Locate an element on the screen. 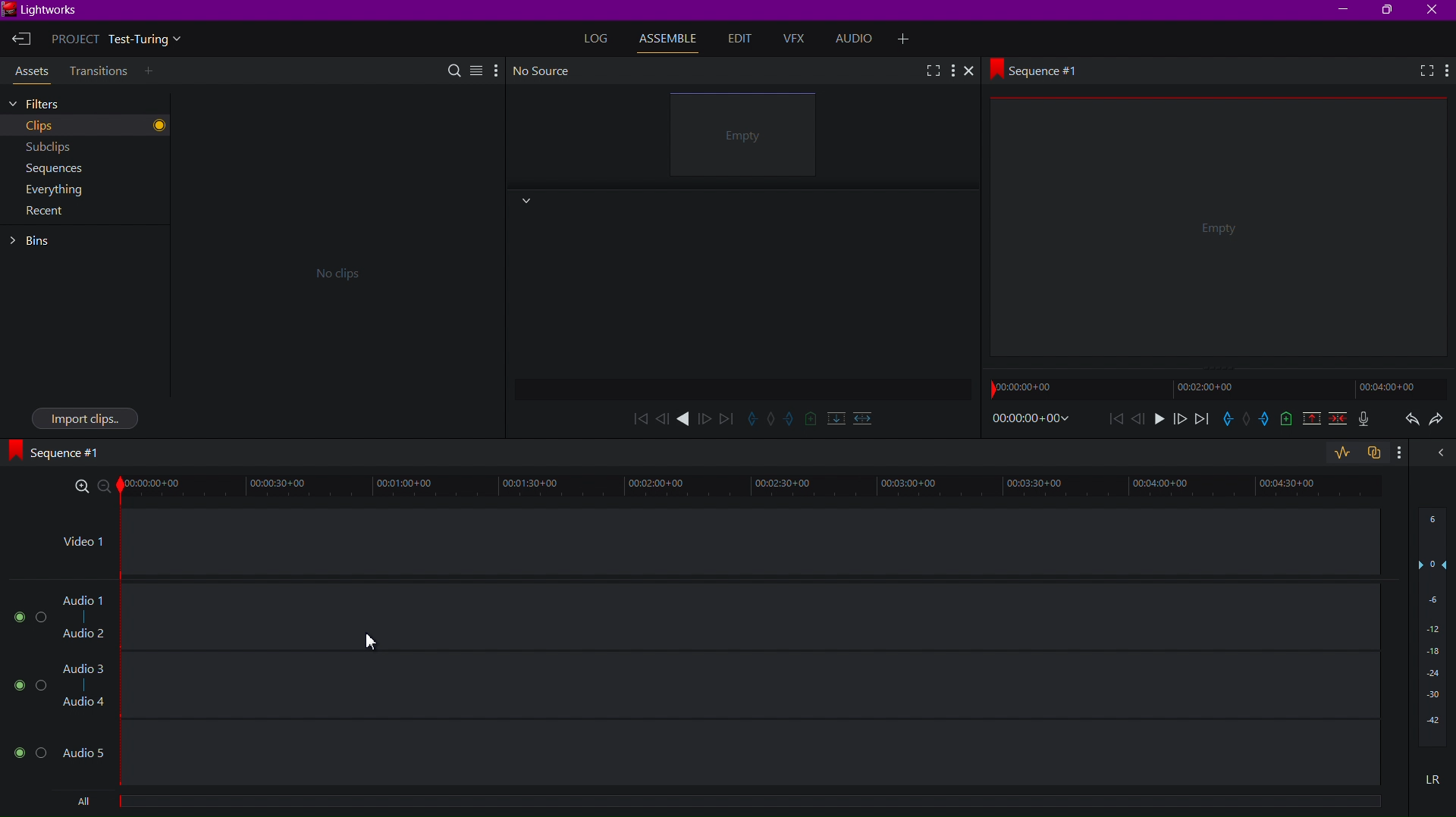 This screenshot has height=817, width=1456. roll edit is located at coordinates (772, 420).